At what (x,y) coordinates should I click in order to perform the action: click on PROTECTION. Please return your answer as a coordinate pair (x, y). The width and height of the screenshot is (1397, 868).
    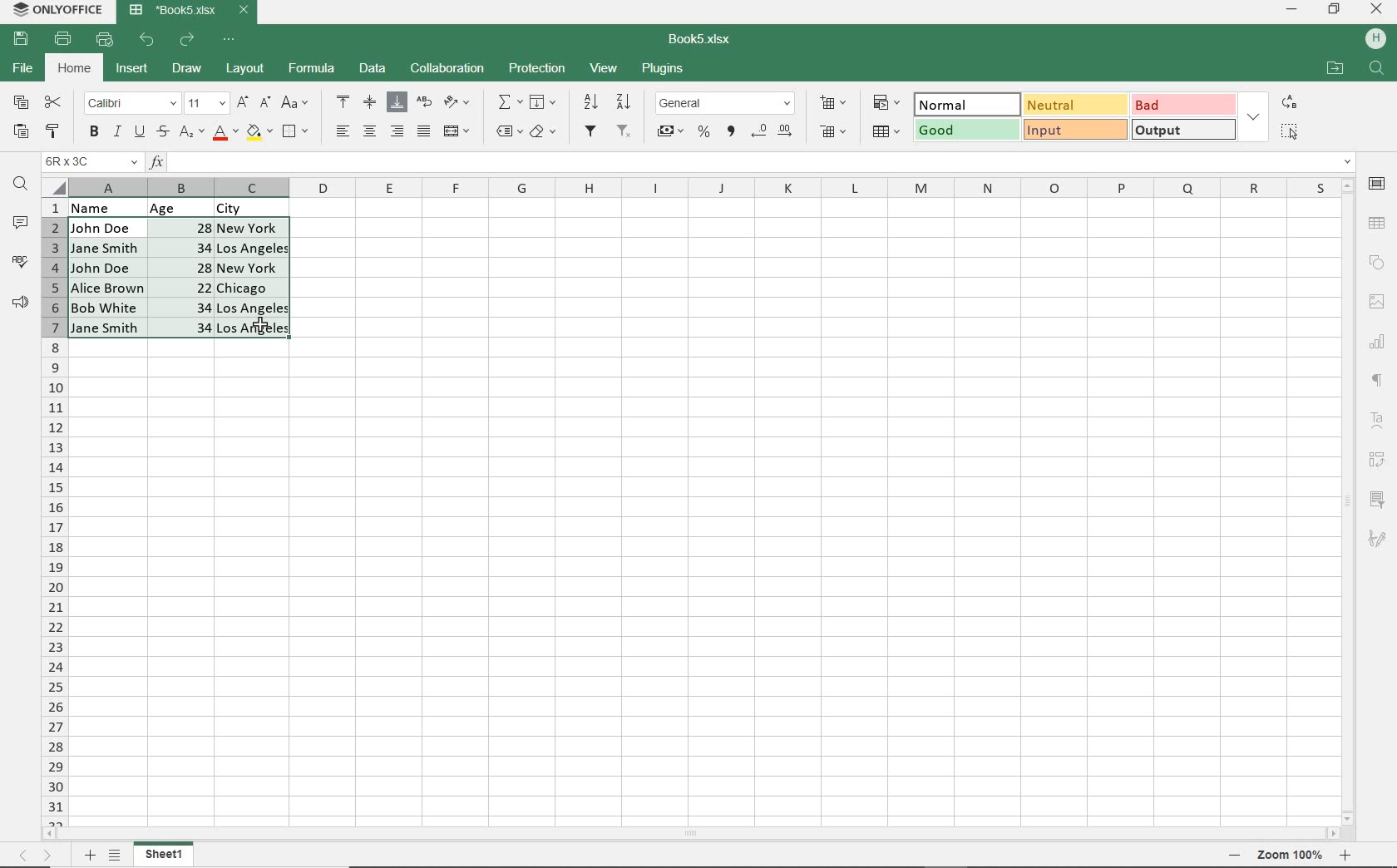
    Looking at the image, I should click on (537, 68).